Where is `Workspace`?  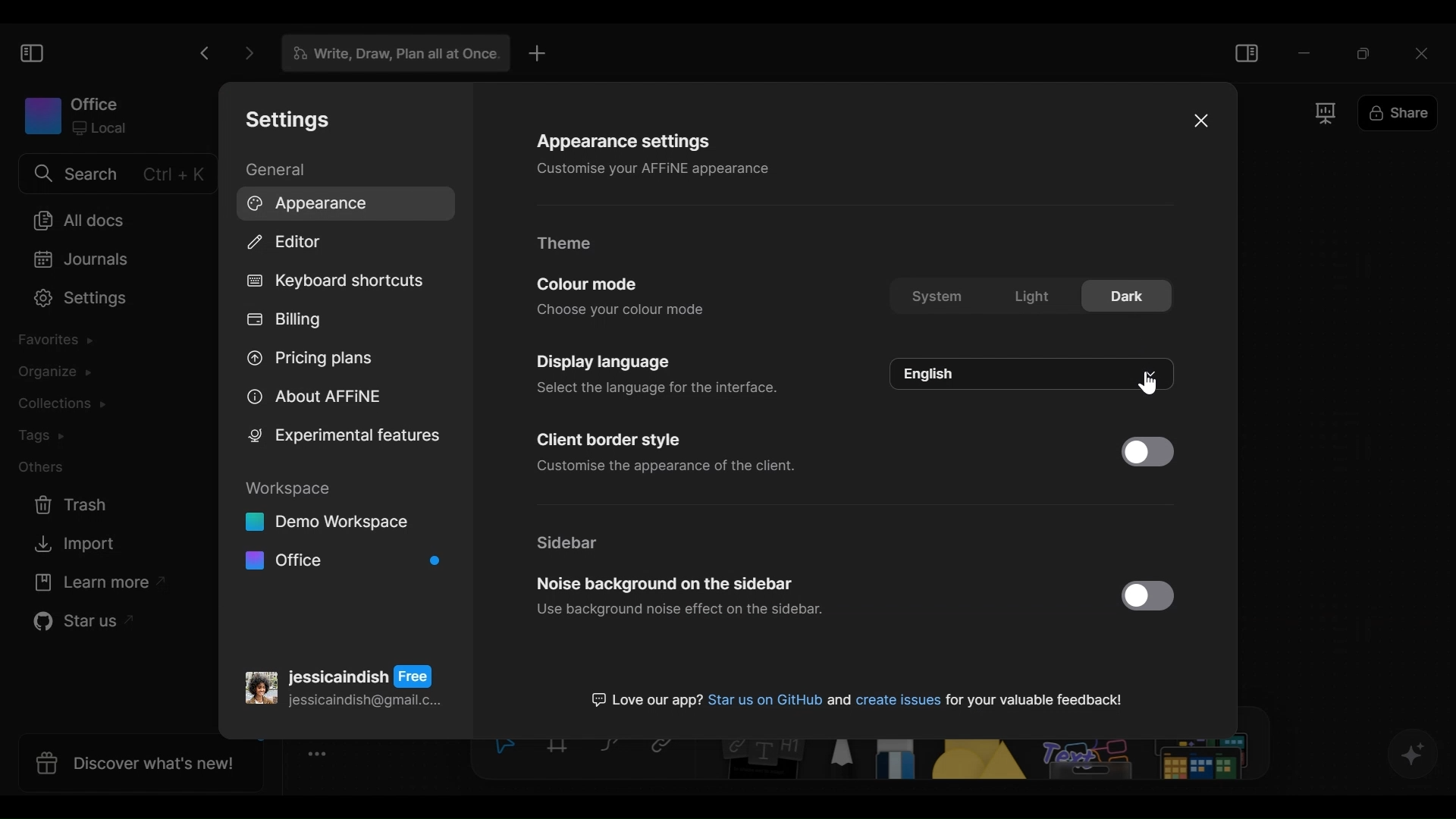 Workspace is located at coordinates (343, 527).